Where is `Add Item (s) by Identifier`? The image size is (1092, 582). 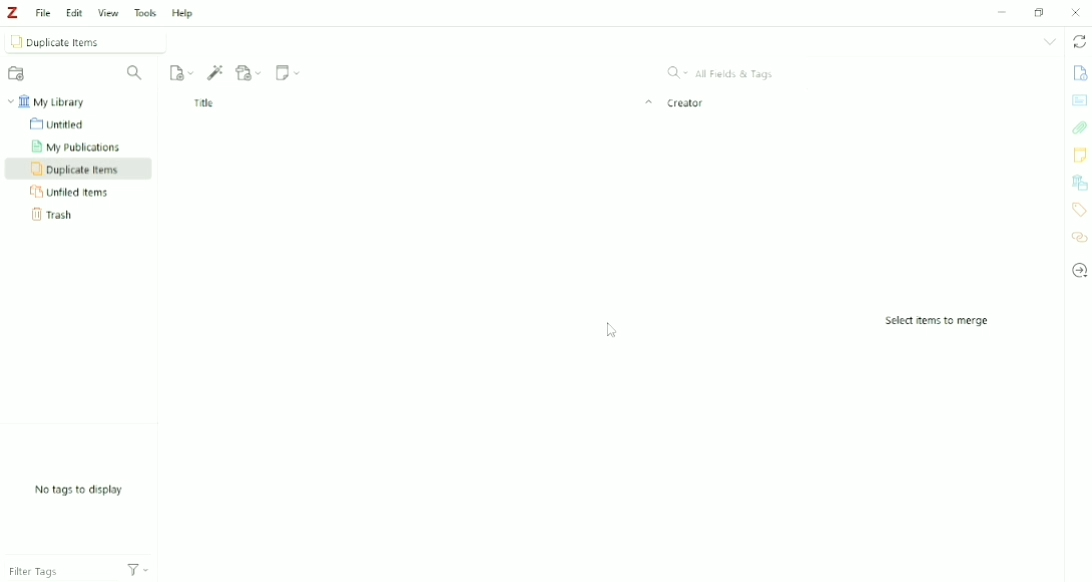
Add Item (s) by Identifier is located at coordinates (216, 73).